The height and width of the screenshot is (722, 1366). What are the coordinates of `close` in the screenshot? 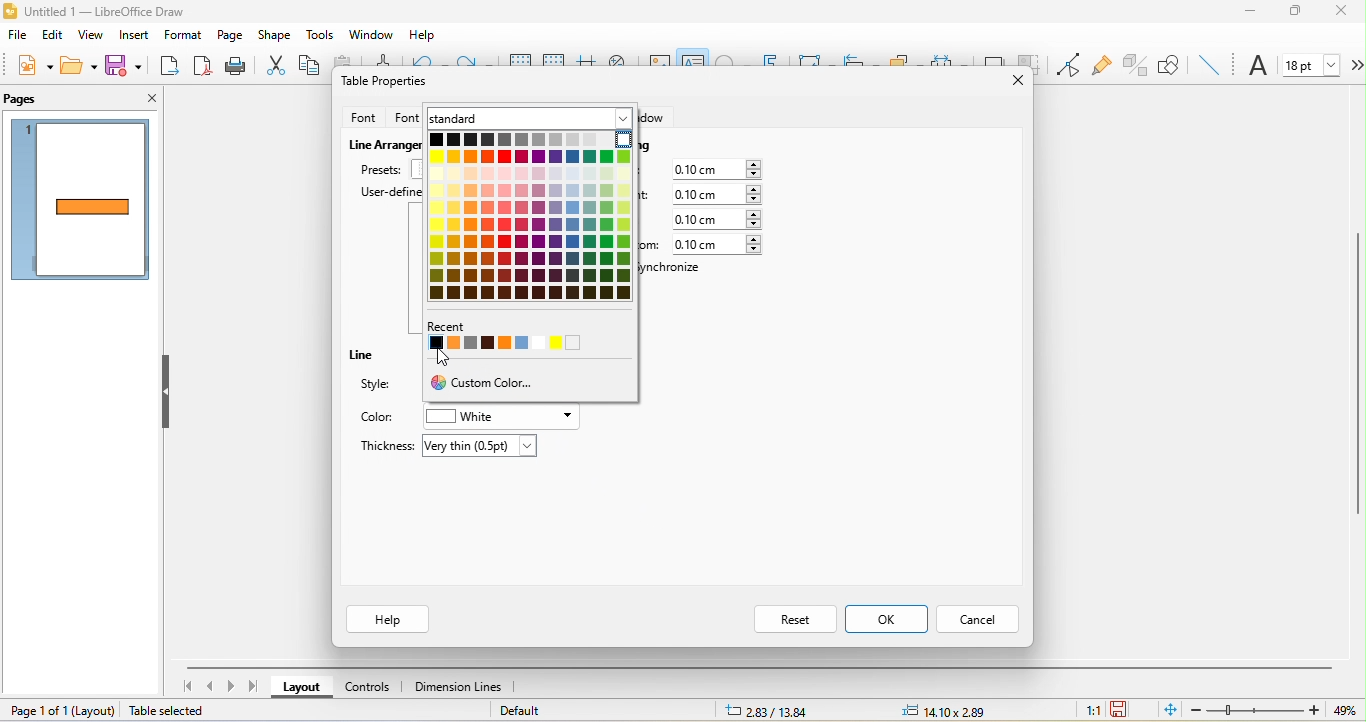 It's located at (1012, 77).